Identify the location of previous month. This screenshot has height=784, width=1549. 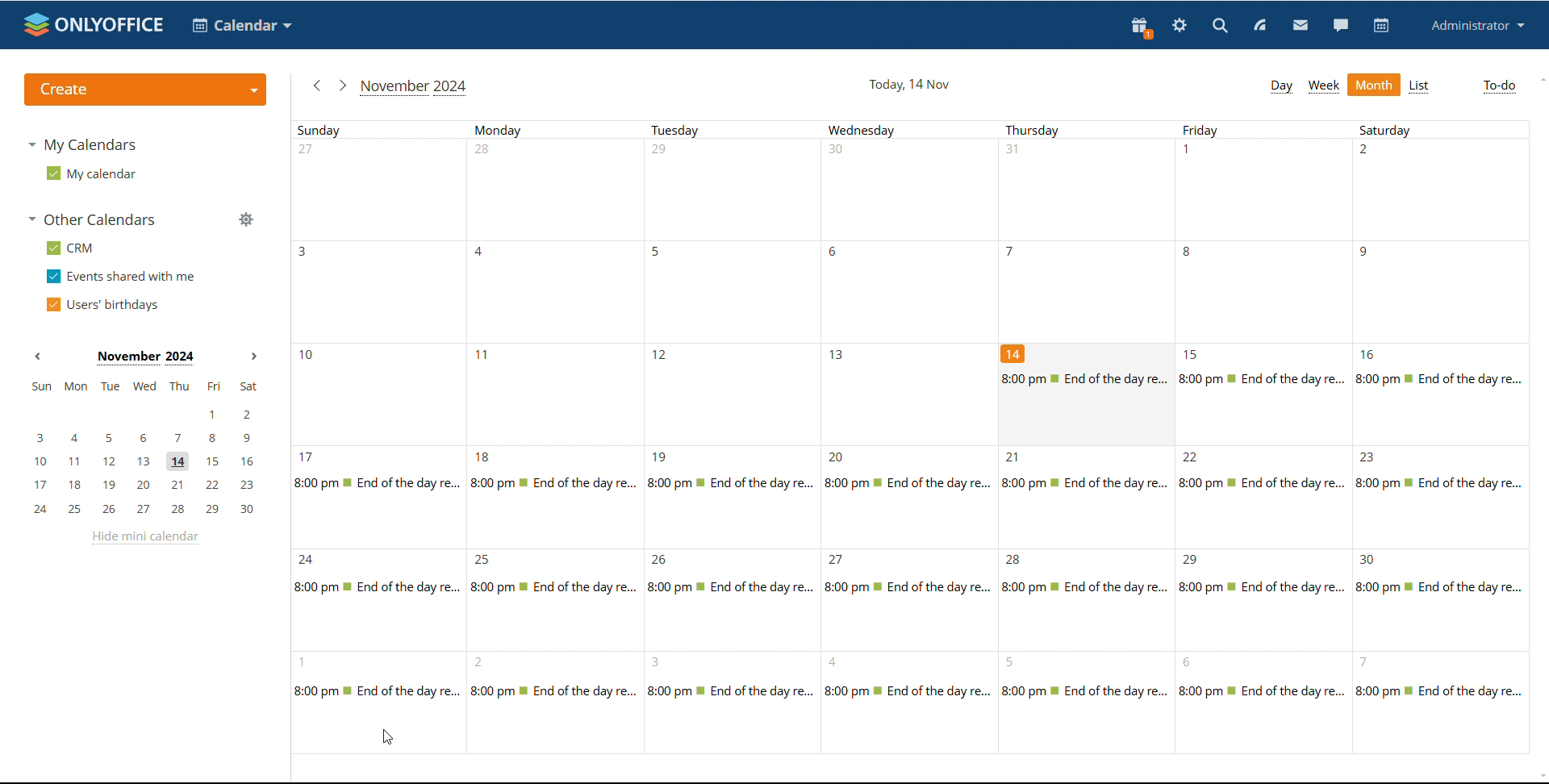
(315, 85).